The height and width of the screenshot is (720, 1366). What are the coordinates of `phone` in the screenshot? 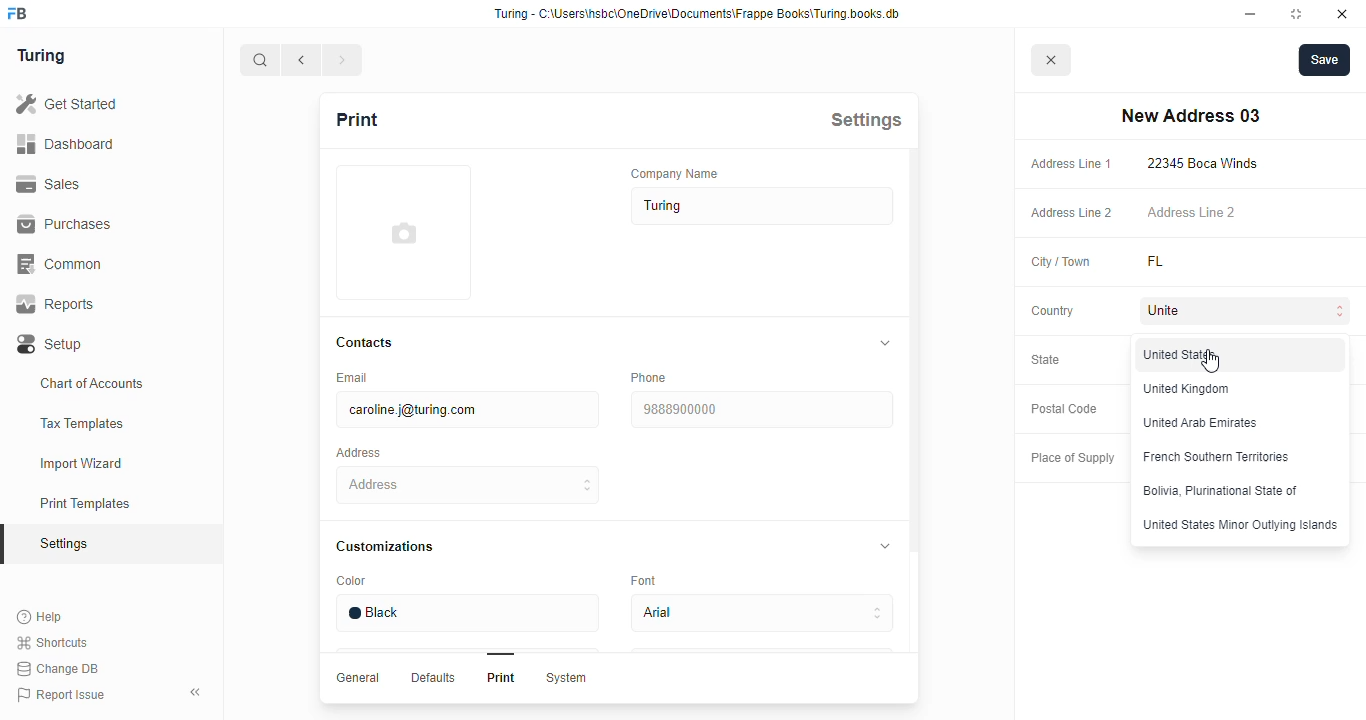 It's located at (648, 377).